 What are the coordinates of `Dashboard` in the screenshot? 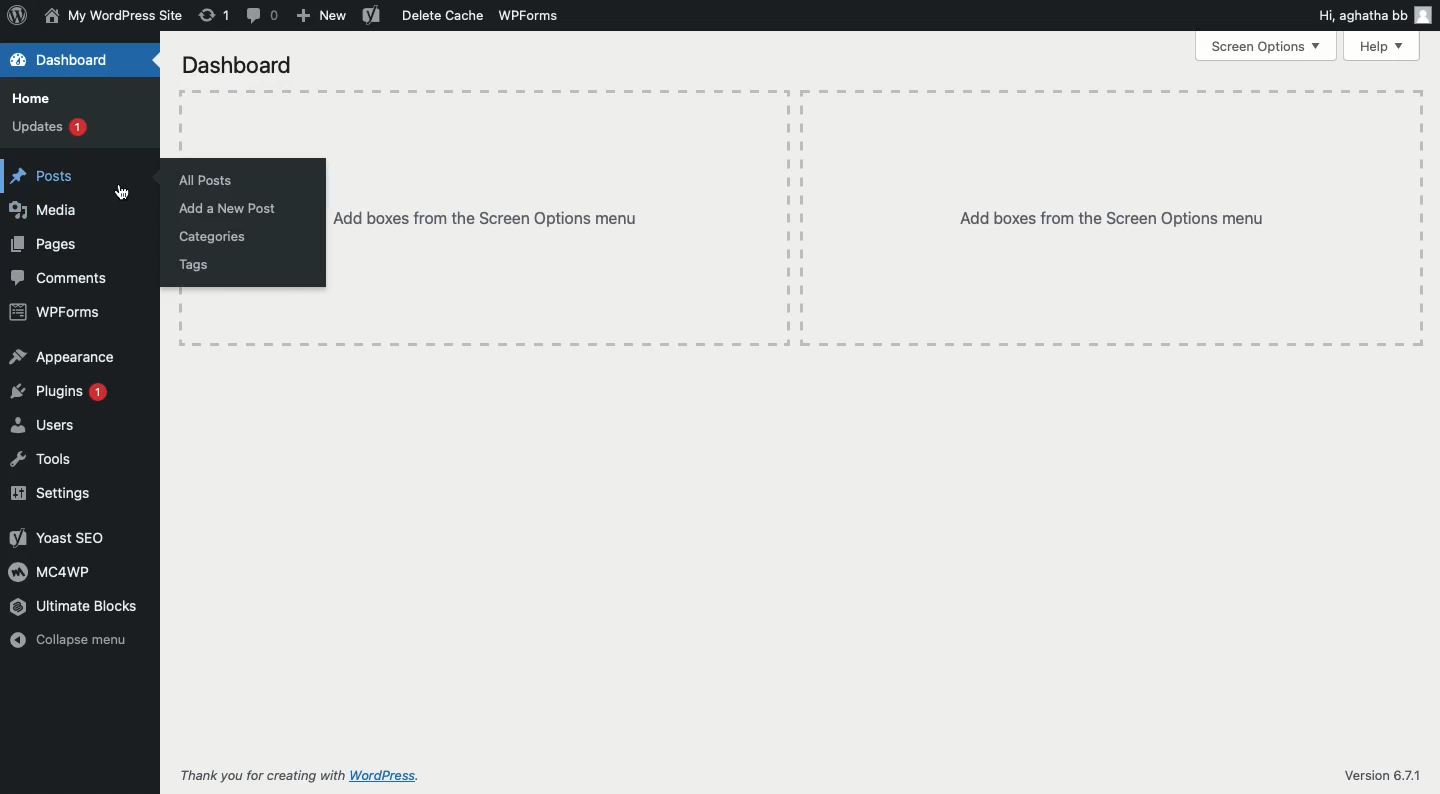 It's located at (67, 61).